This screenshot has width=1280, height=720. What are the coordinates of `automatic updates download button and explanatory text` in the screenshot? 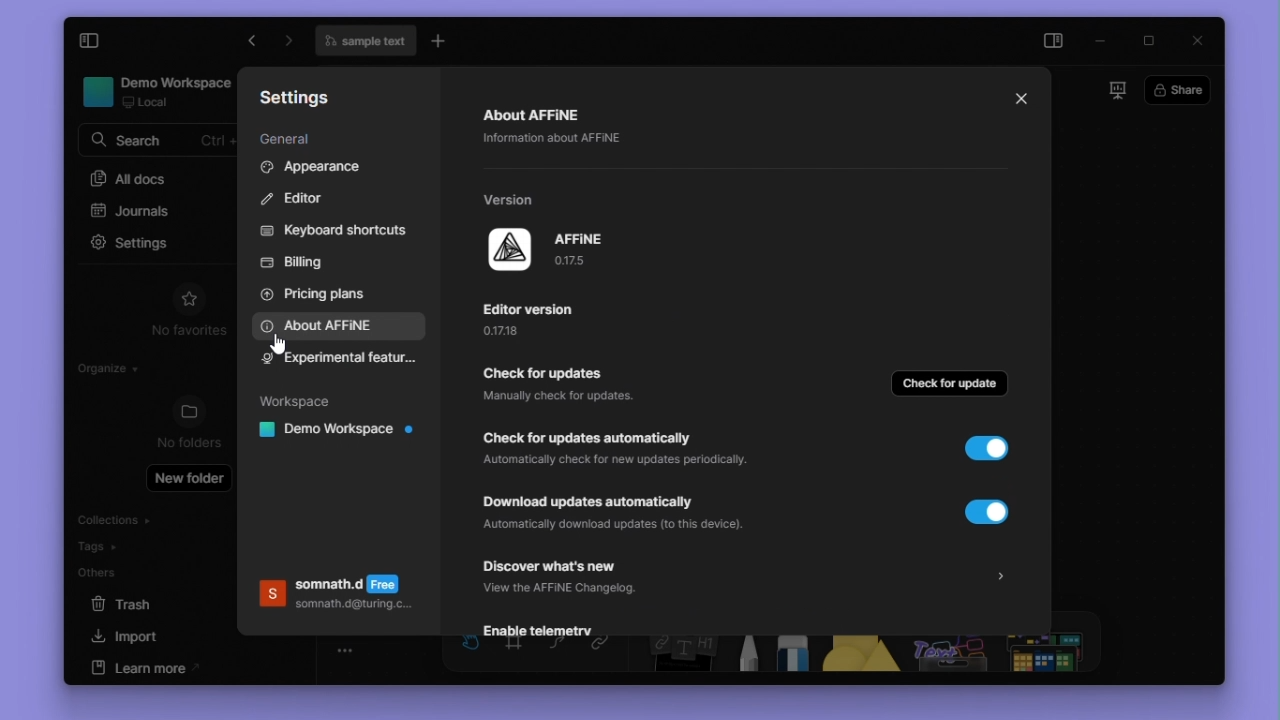 It's located at (627, 513).